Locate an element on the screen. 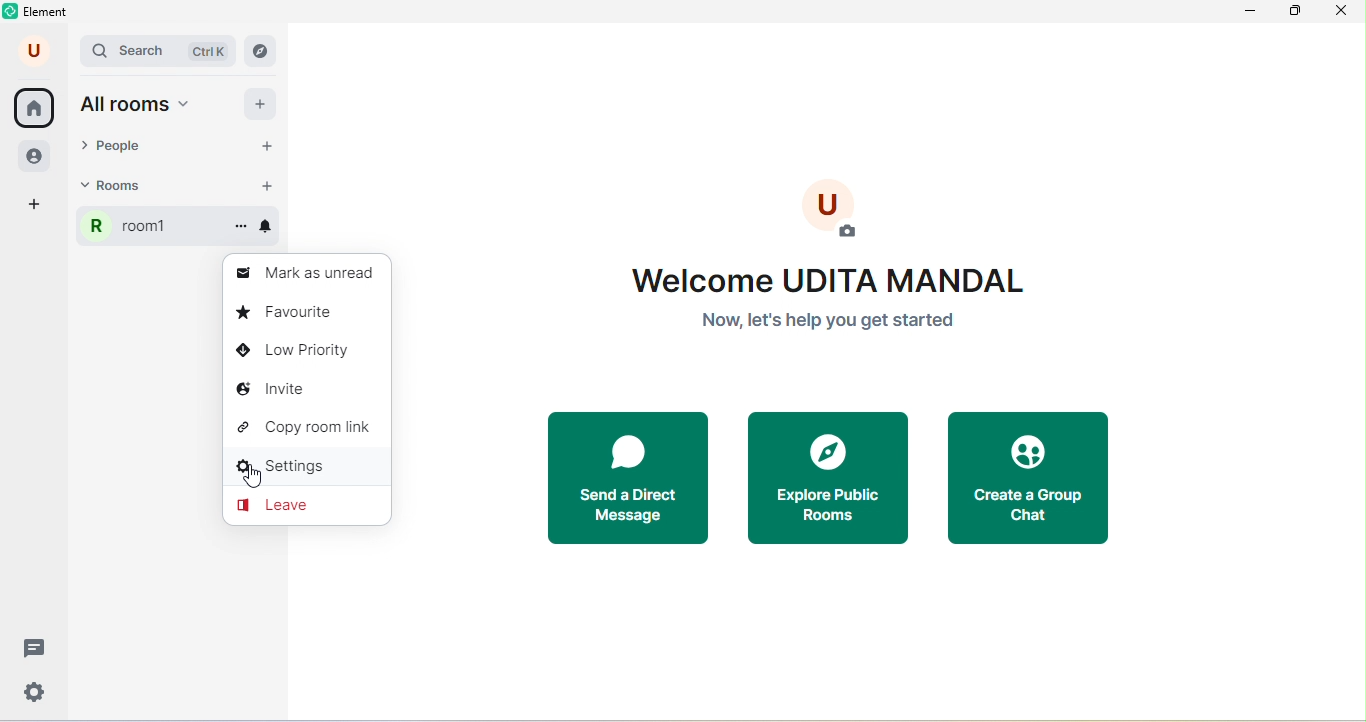 The image size is (1366, 722). threads is located at coordinates (33, 646).